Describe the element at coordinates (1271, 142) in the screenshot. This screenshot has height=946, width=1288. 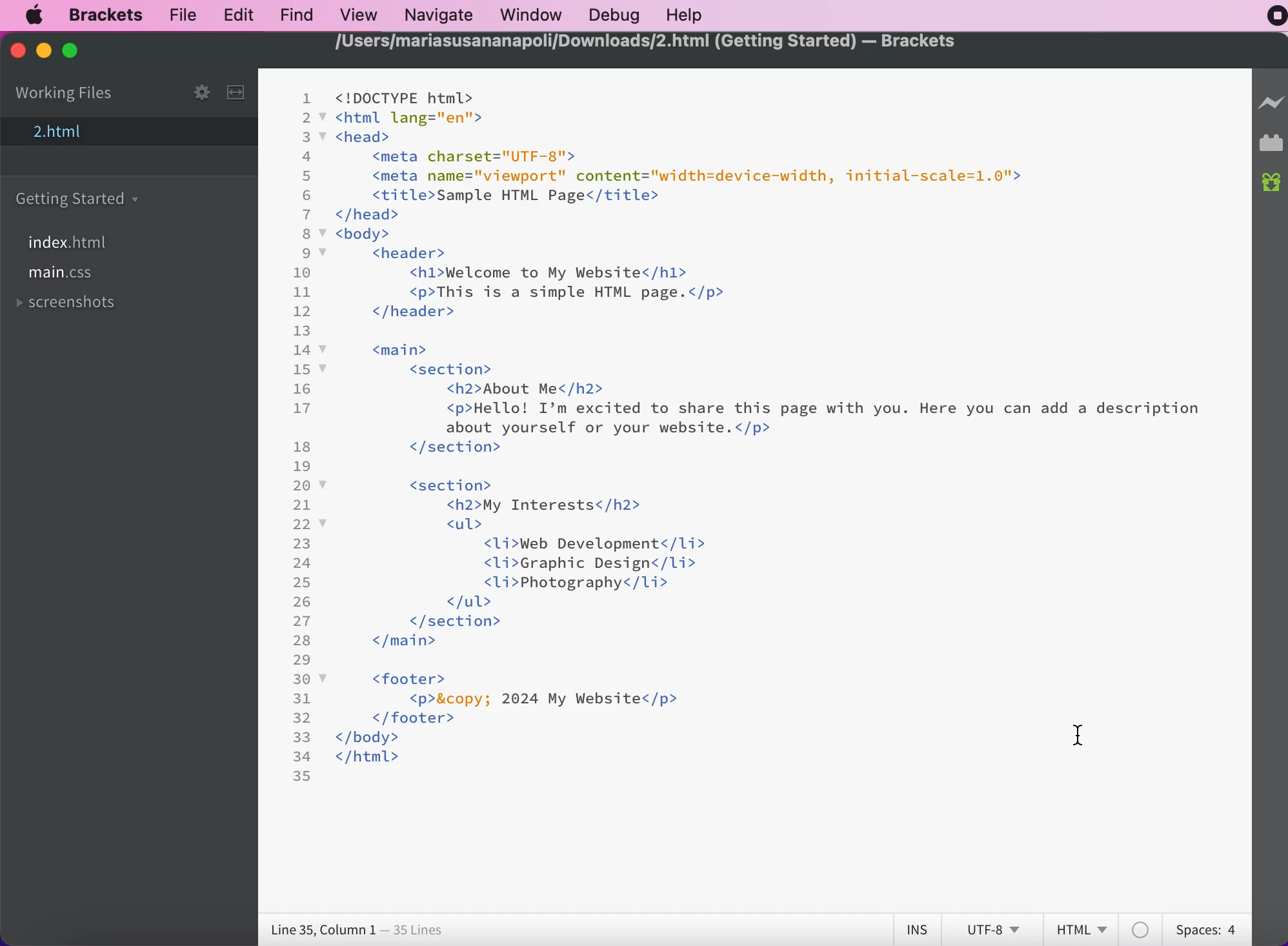
I see `extension manager` at that location.